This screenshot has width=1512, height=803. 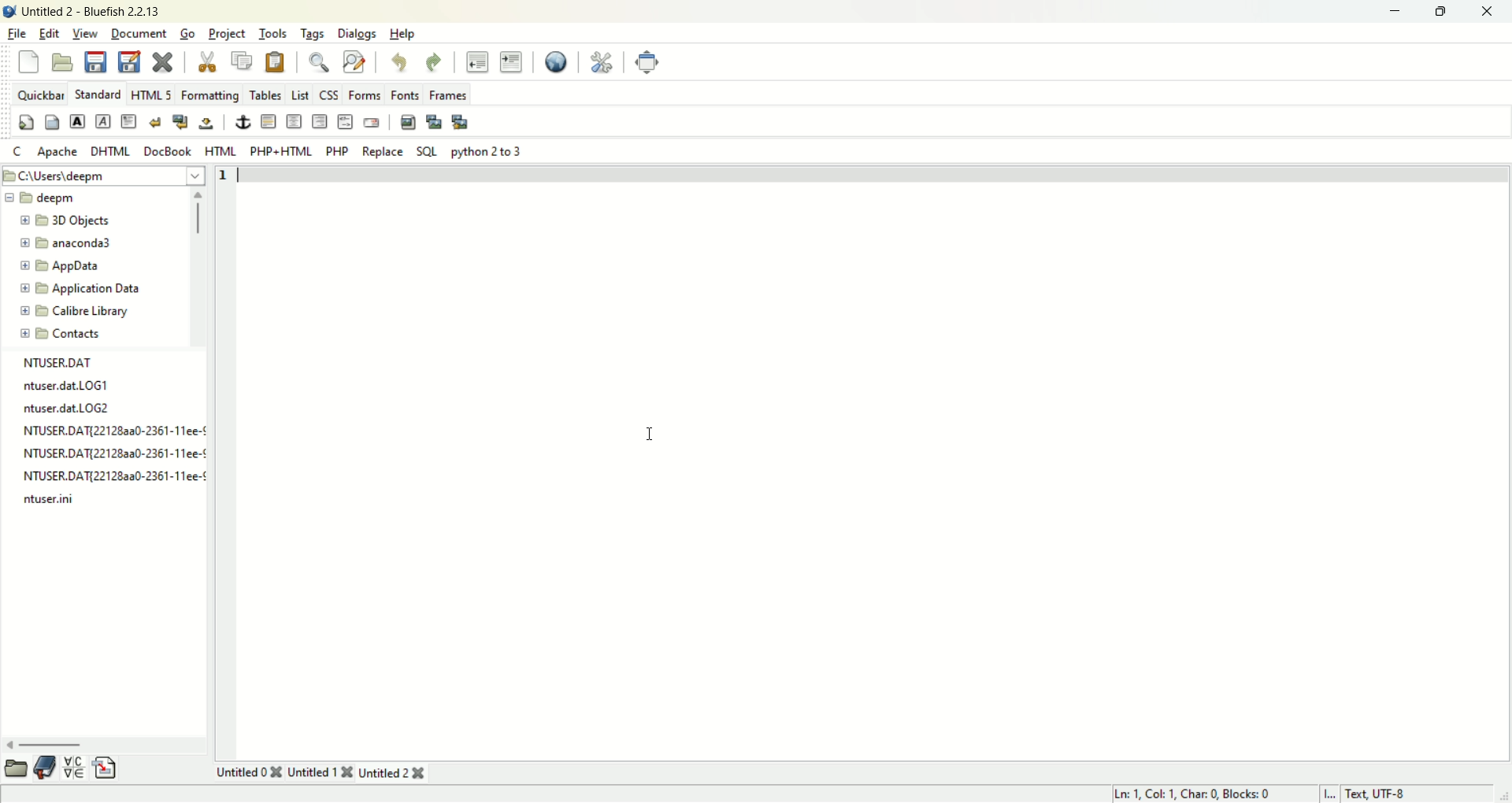 I want to click on text cursor, so click(x=651, y=436).